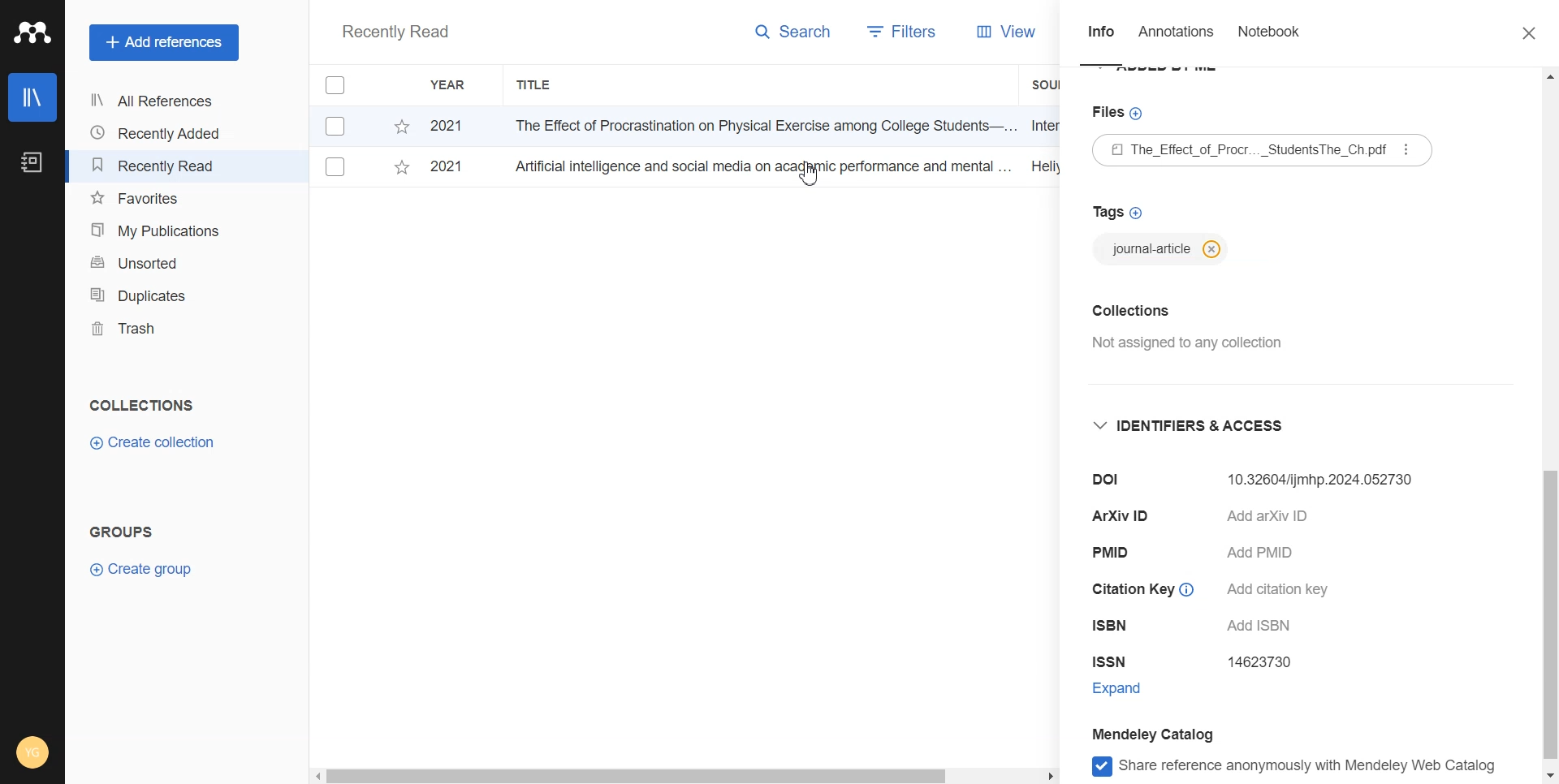 Image resolution: width=1559 pixels, height=784 pixels. I want to click on 2021, so click(455, 169).